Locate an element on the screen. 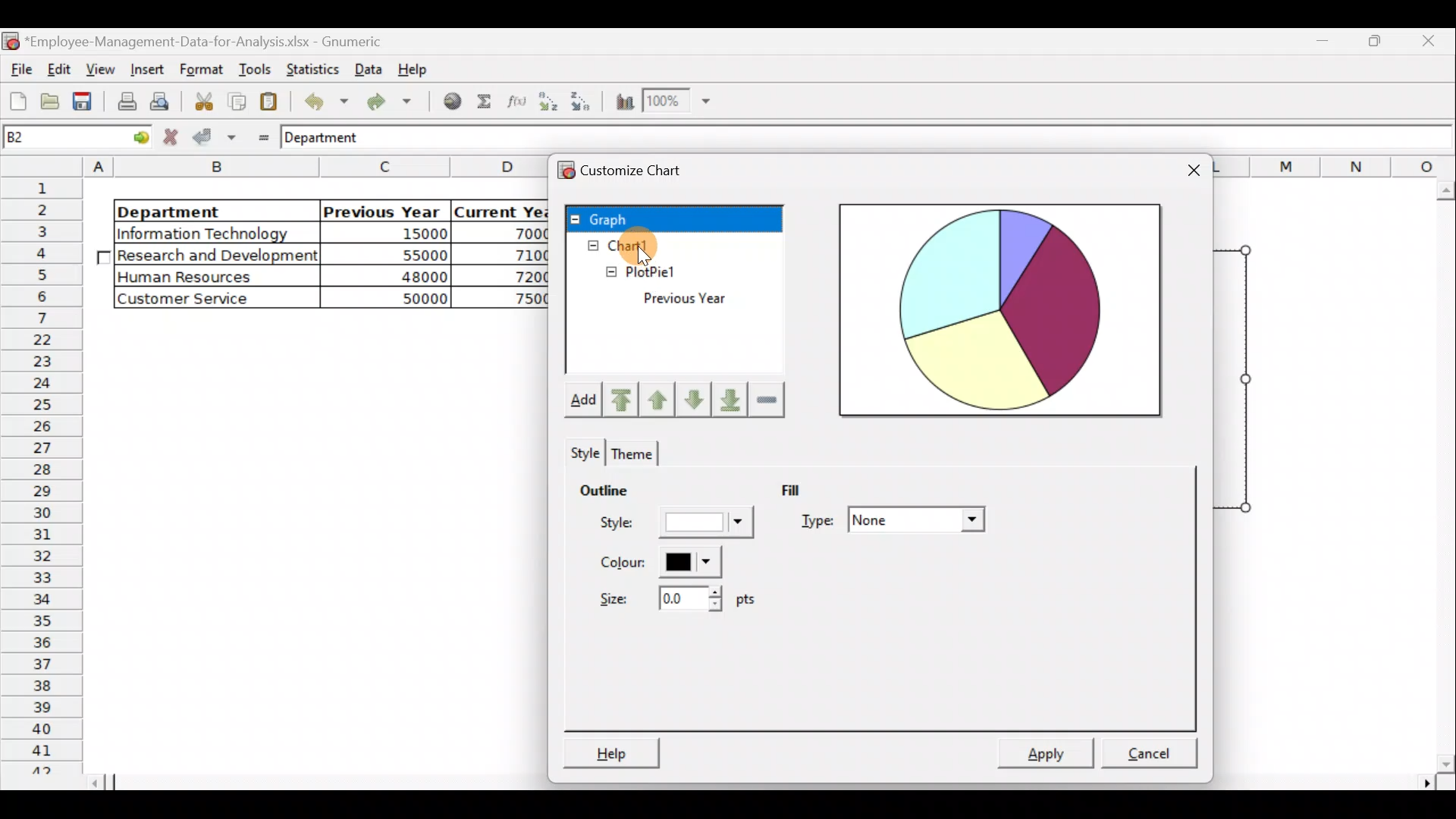  Size is located at coordinates (701, 605).